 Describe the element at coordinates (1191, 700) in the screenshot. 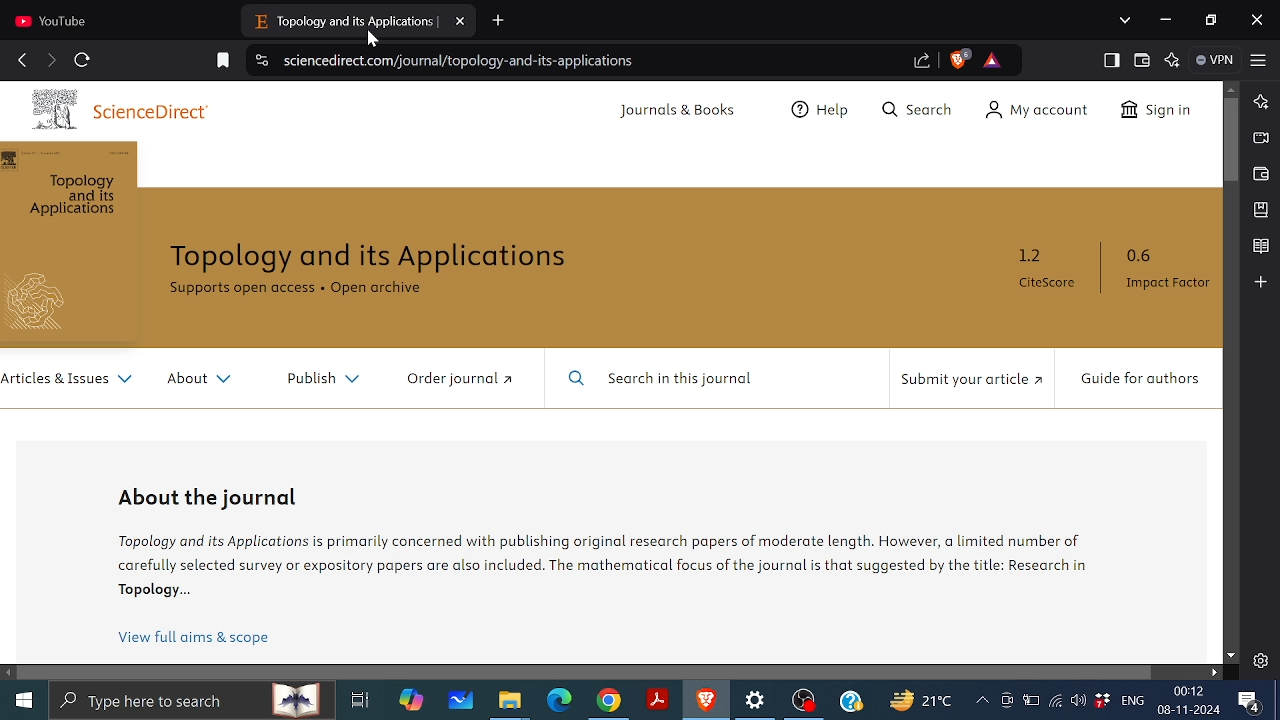

I see `Time and date` at that location.